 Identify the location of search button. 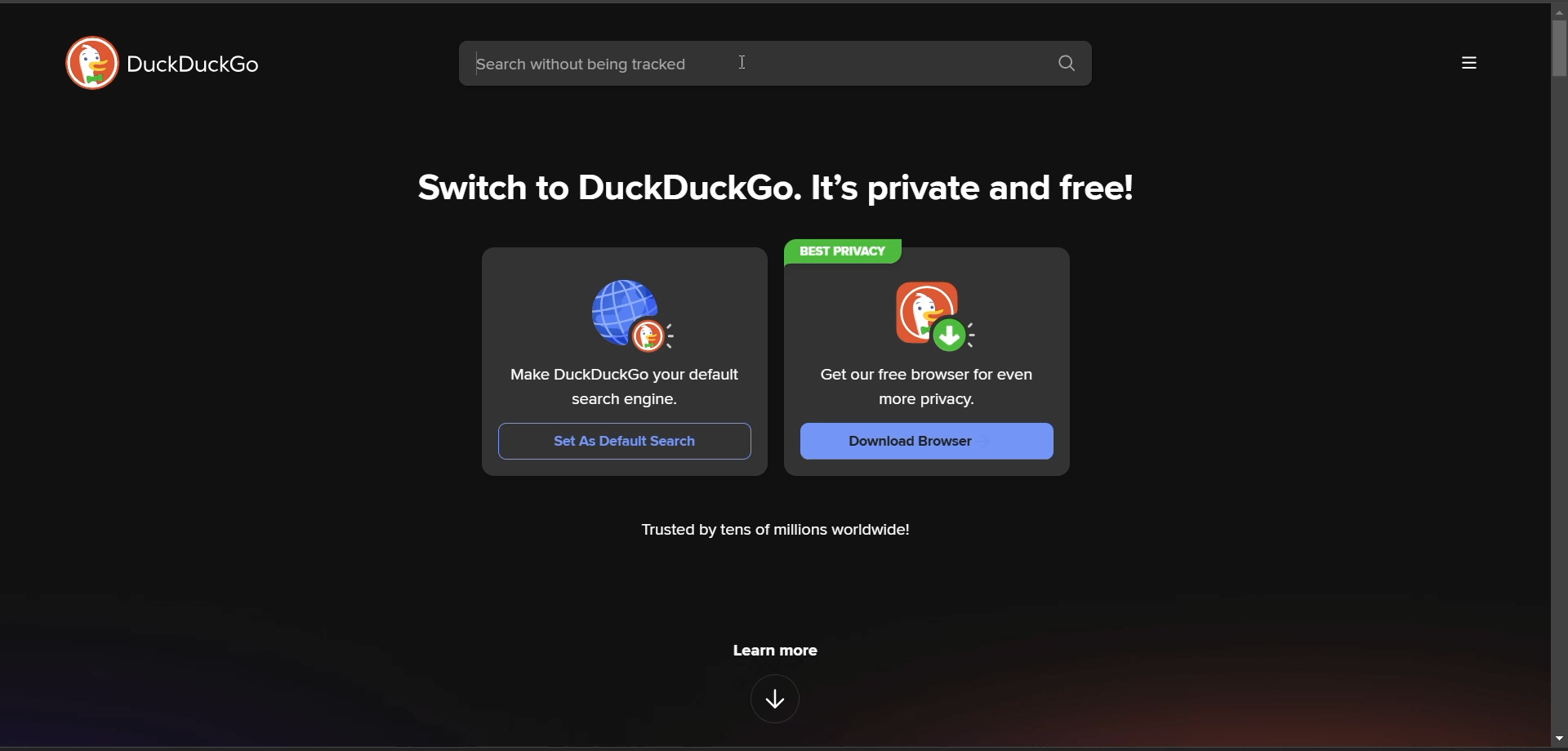
(1067, 65).